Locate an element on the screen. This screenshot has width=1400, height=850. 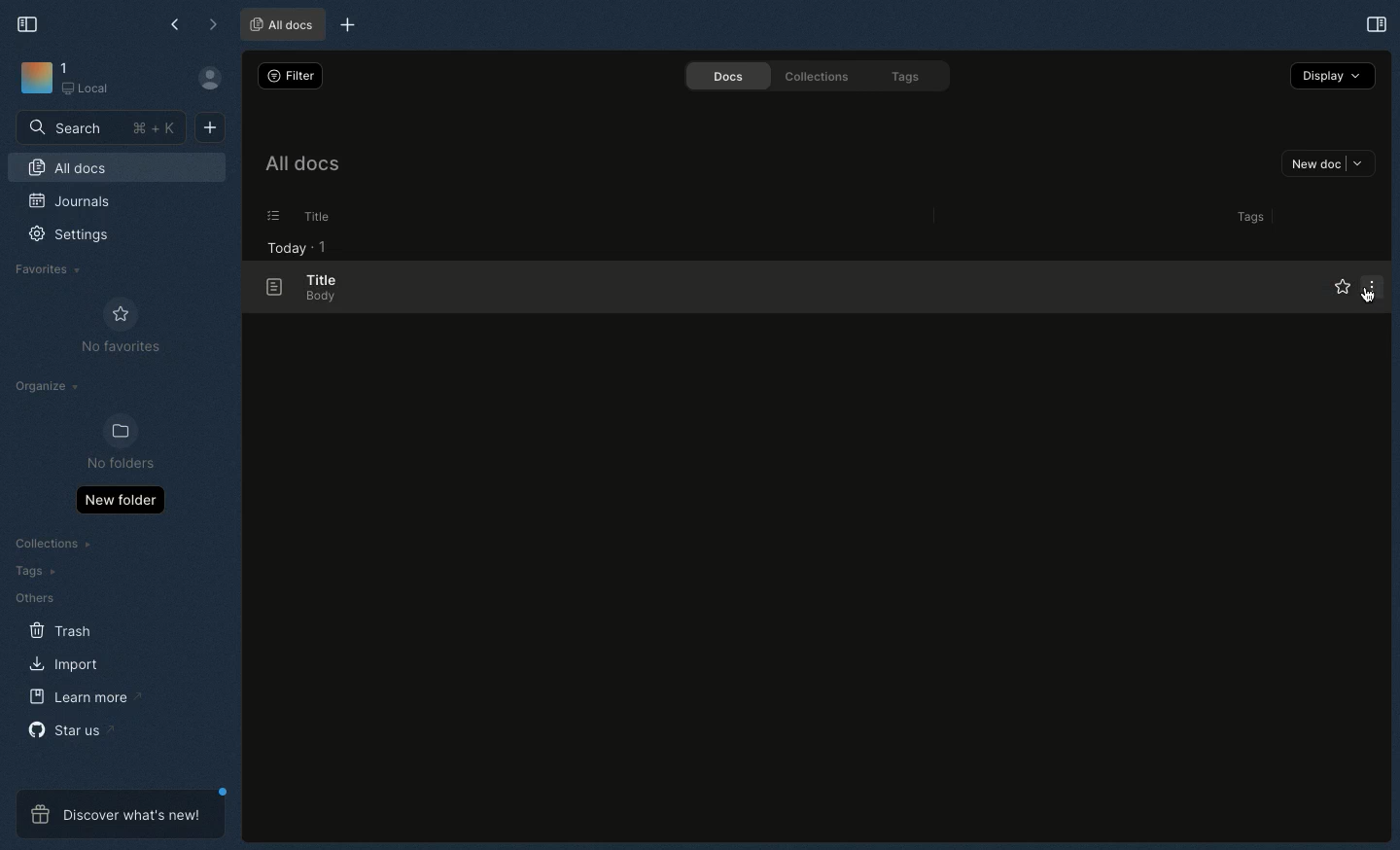
Settings is located at coordinates (80, 241).